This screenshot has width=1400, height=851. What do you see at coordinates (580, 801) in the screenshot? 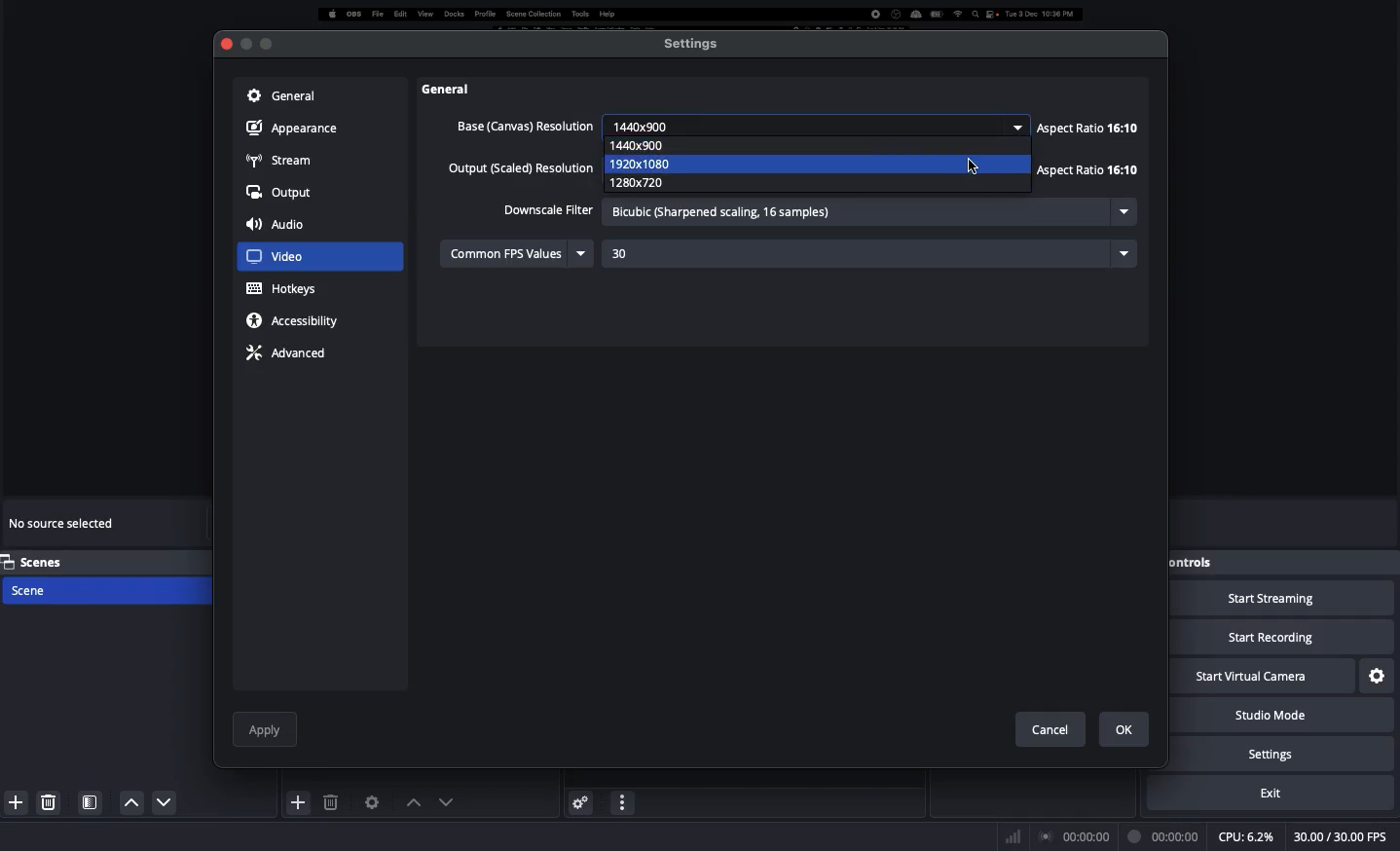
I see `Advanced audio preferences` at bounding box center [580, 801].